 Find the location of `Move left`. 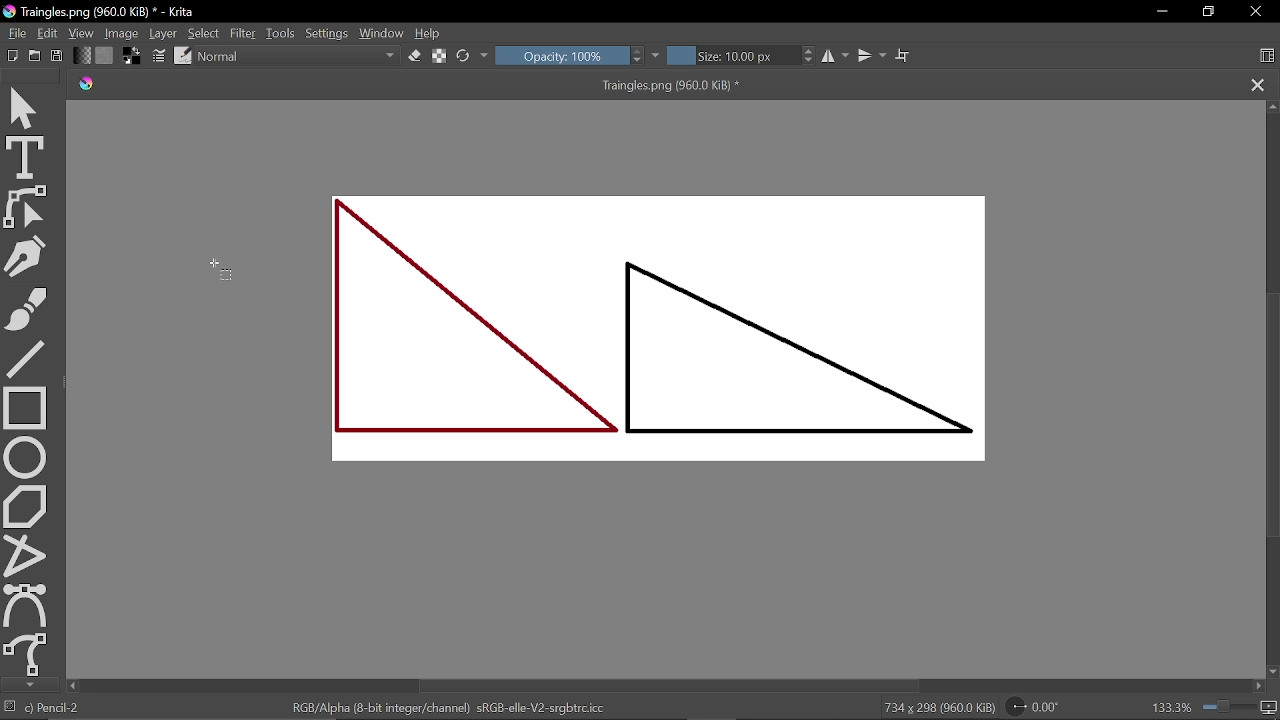

Move left is located at coordinates (72, 686).